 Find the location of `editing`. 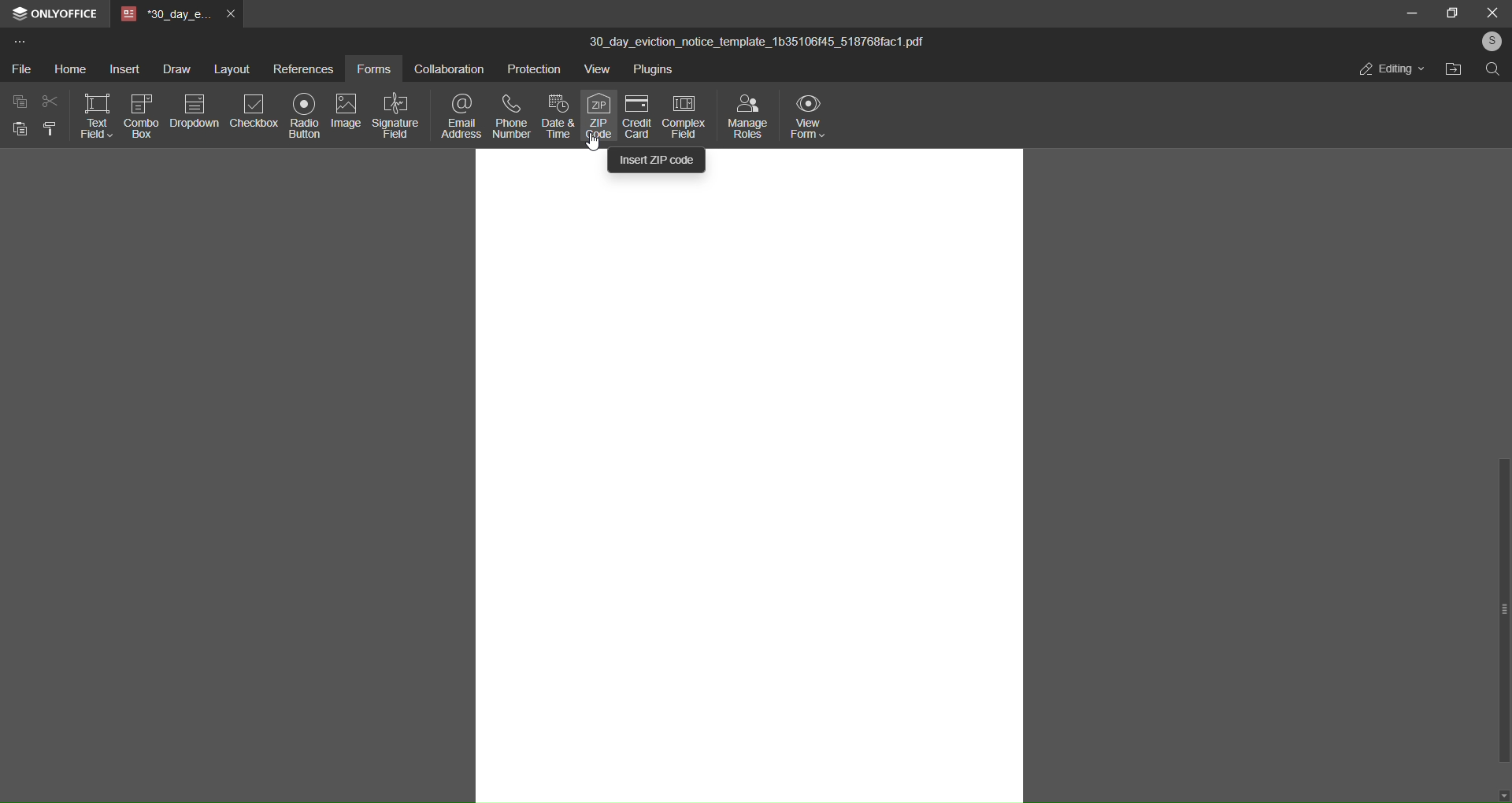

editing is located at coordinates (1384, 70).